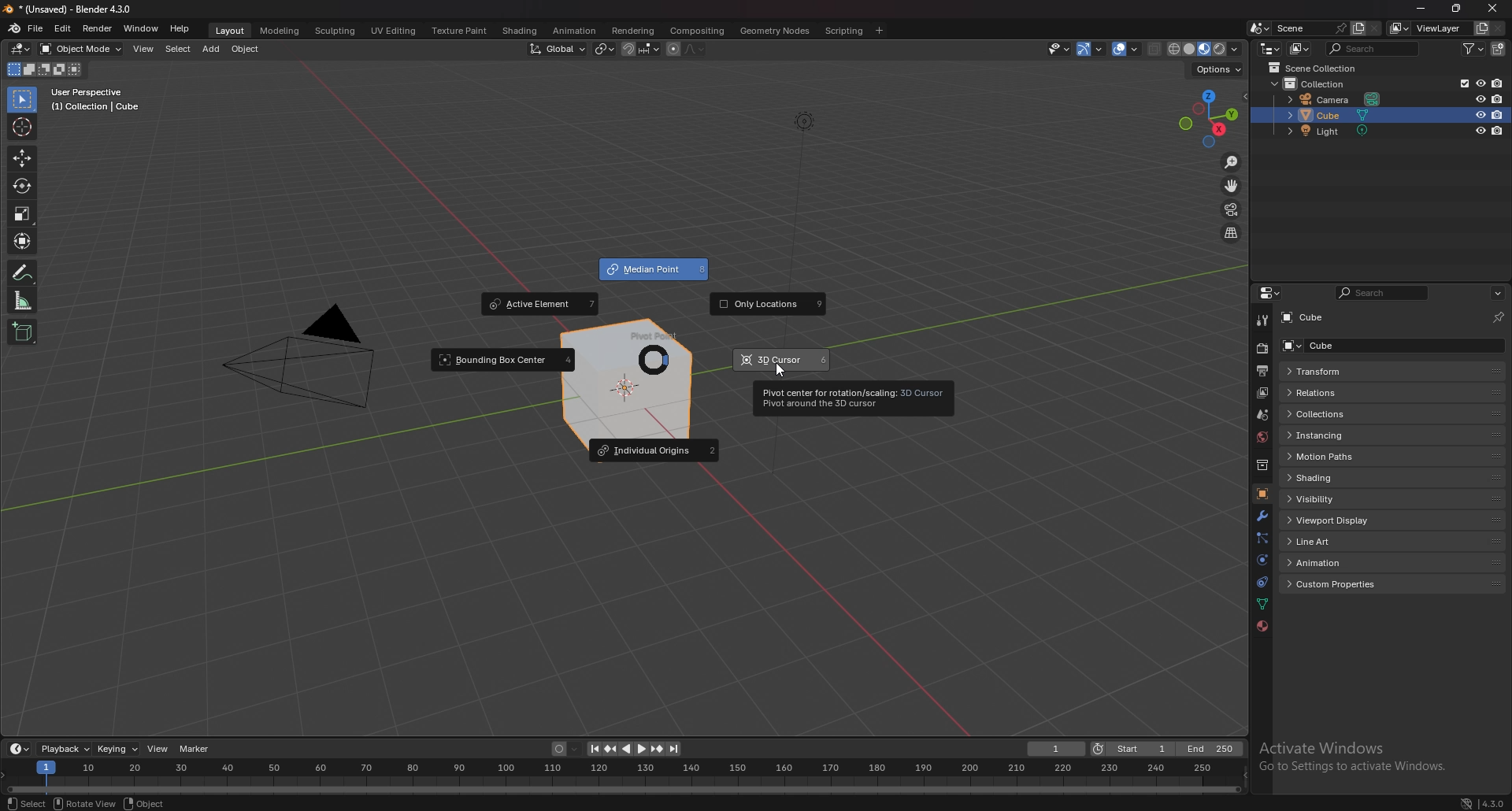 The image size is (1512, 811). I want to click on seek, so click(622, 779).